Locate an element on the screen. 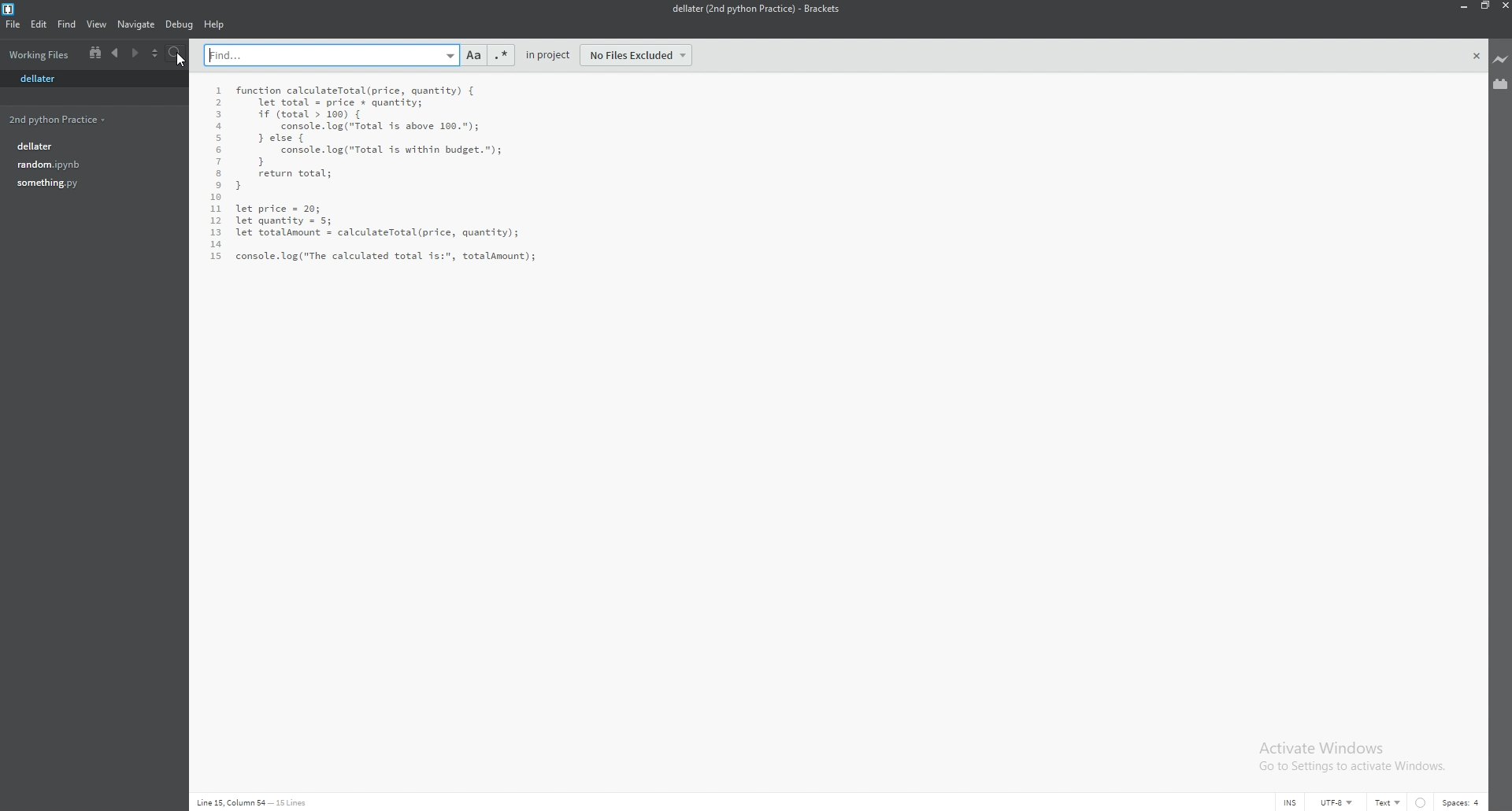  2nd python practice is located at coordinates (87, 120).